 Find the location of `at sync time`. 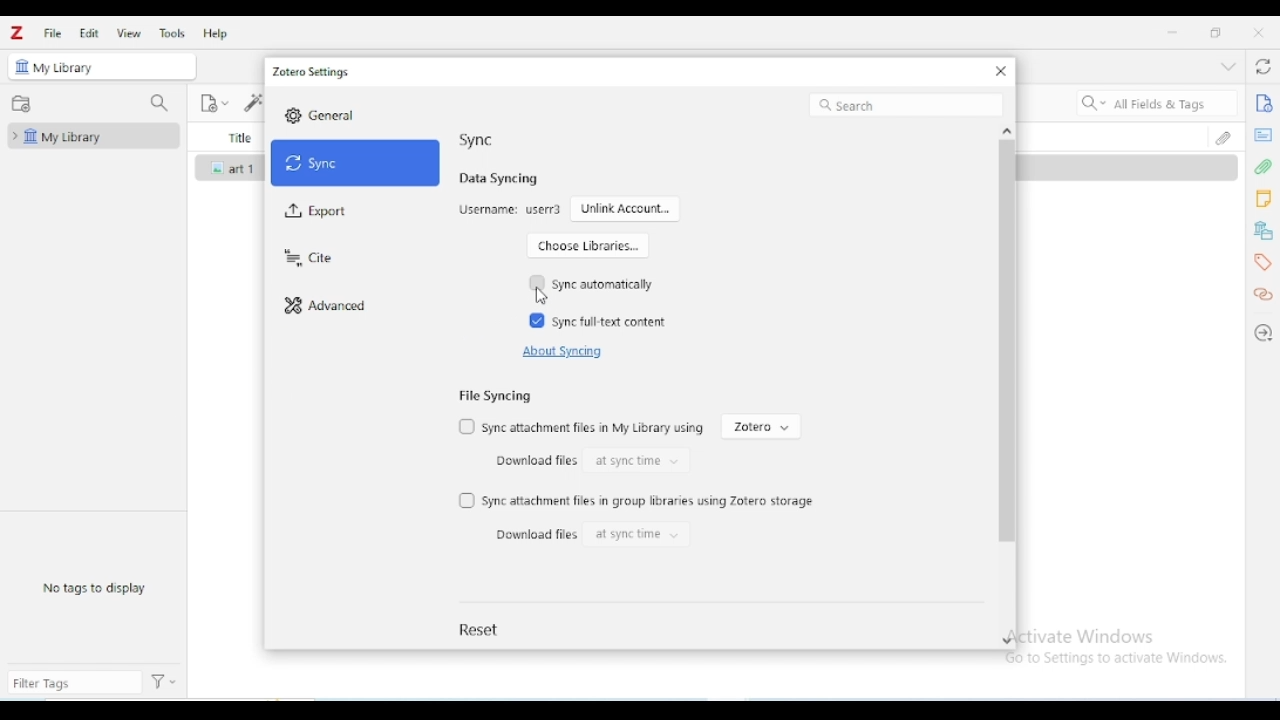

at sync time is located at coordinates (635, 535).